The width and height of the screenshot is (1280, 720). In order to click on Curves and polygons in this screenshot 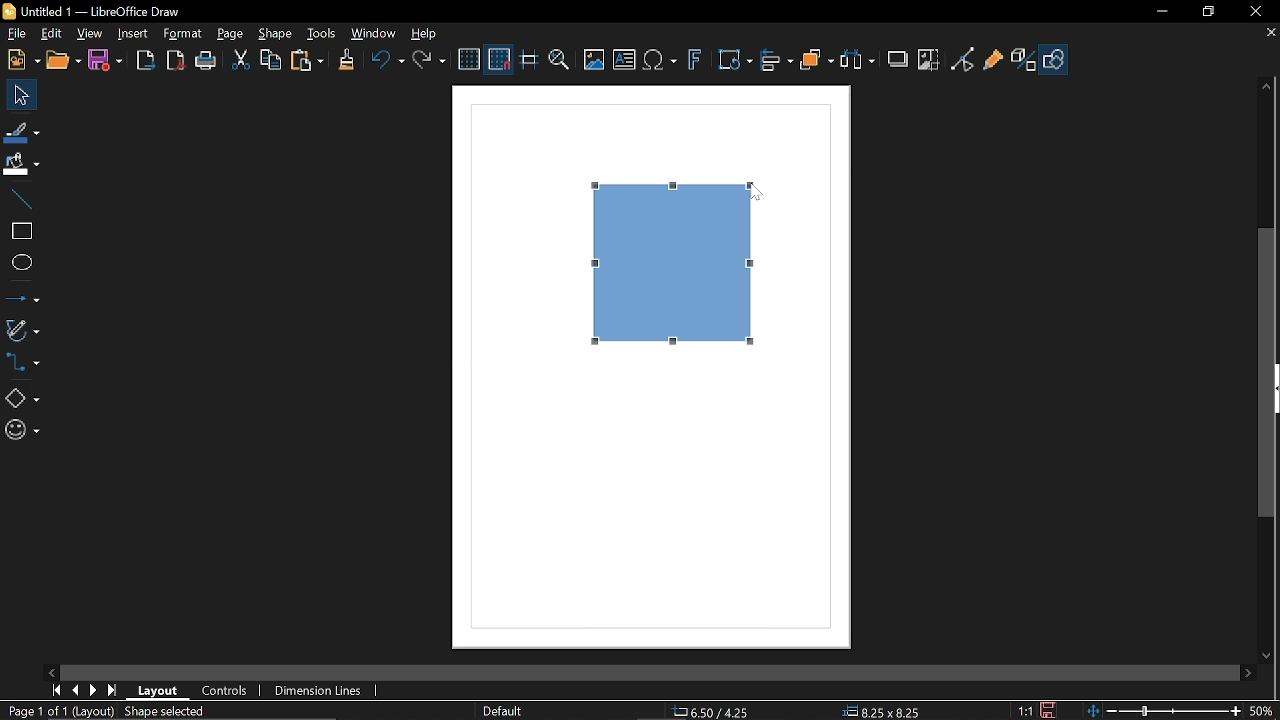, I will do `click(22, 330)`.